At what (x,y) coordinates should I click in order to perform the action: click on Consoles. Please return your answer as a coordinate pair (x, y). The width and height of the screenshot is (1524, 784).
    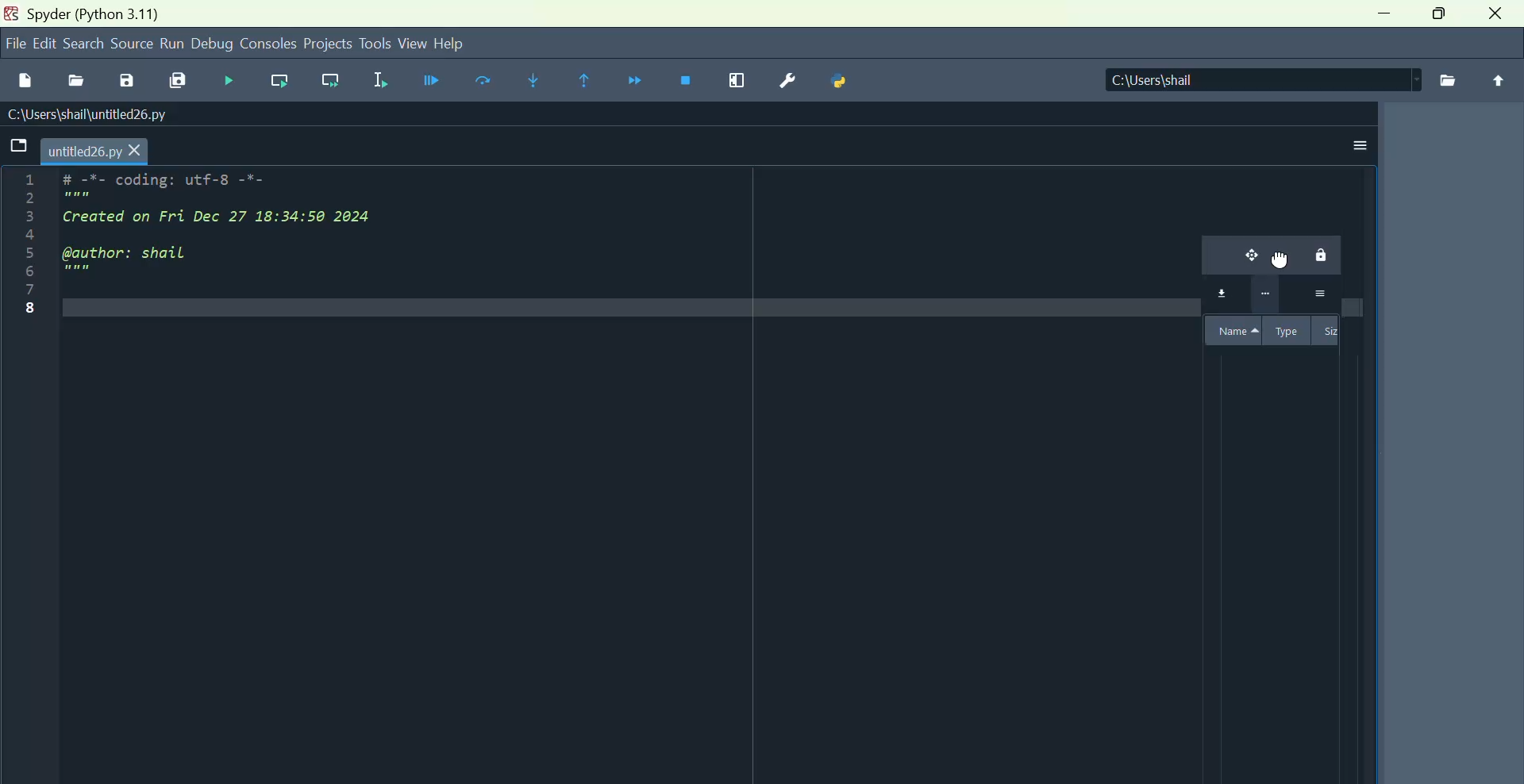
    Looking at the image, I should click on (268, 43).